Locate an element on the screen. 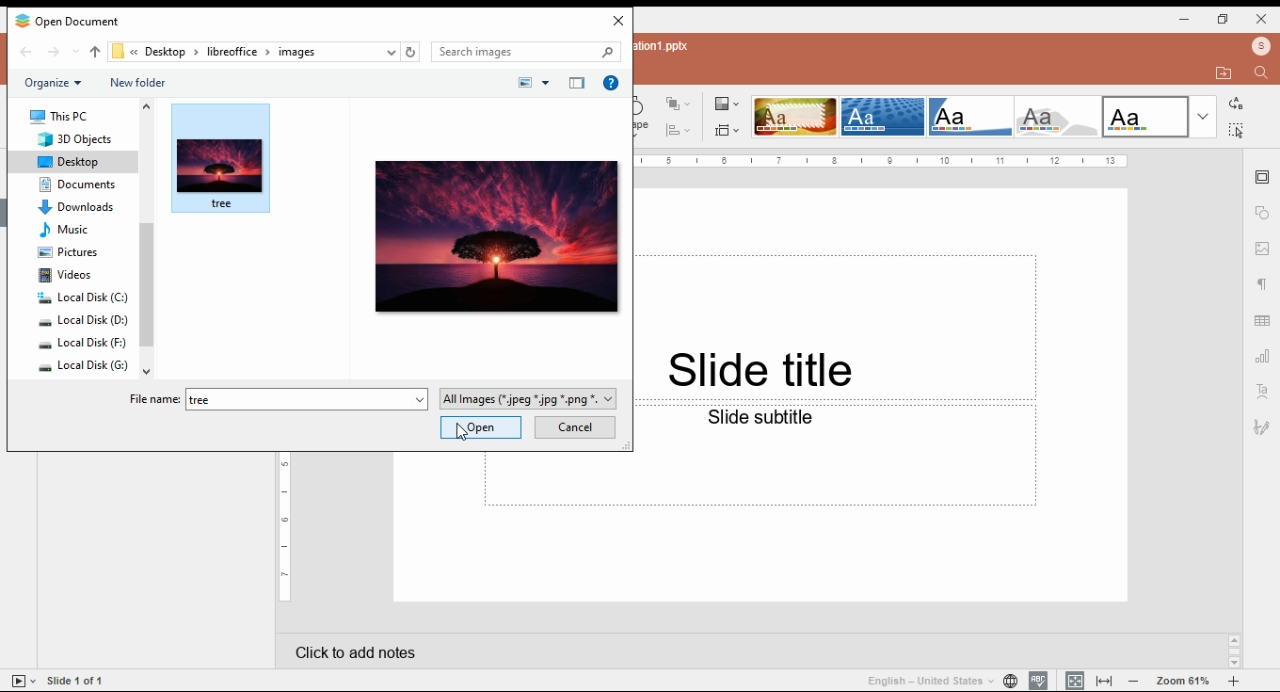 Image resolution: width=1280 pixels, height=692 pixels. find is located at coordinates (1259, 74).